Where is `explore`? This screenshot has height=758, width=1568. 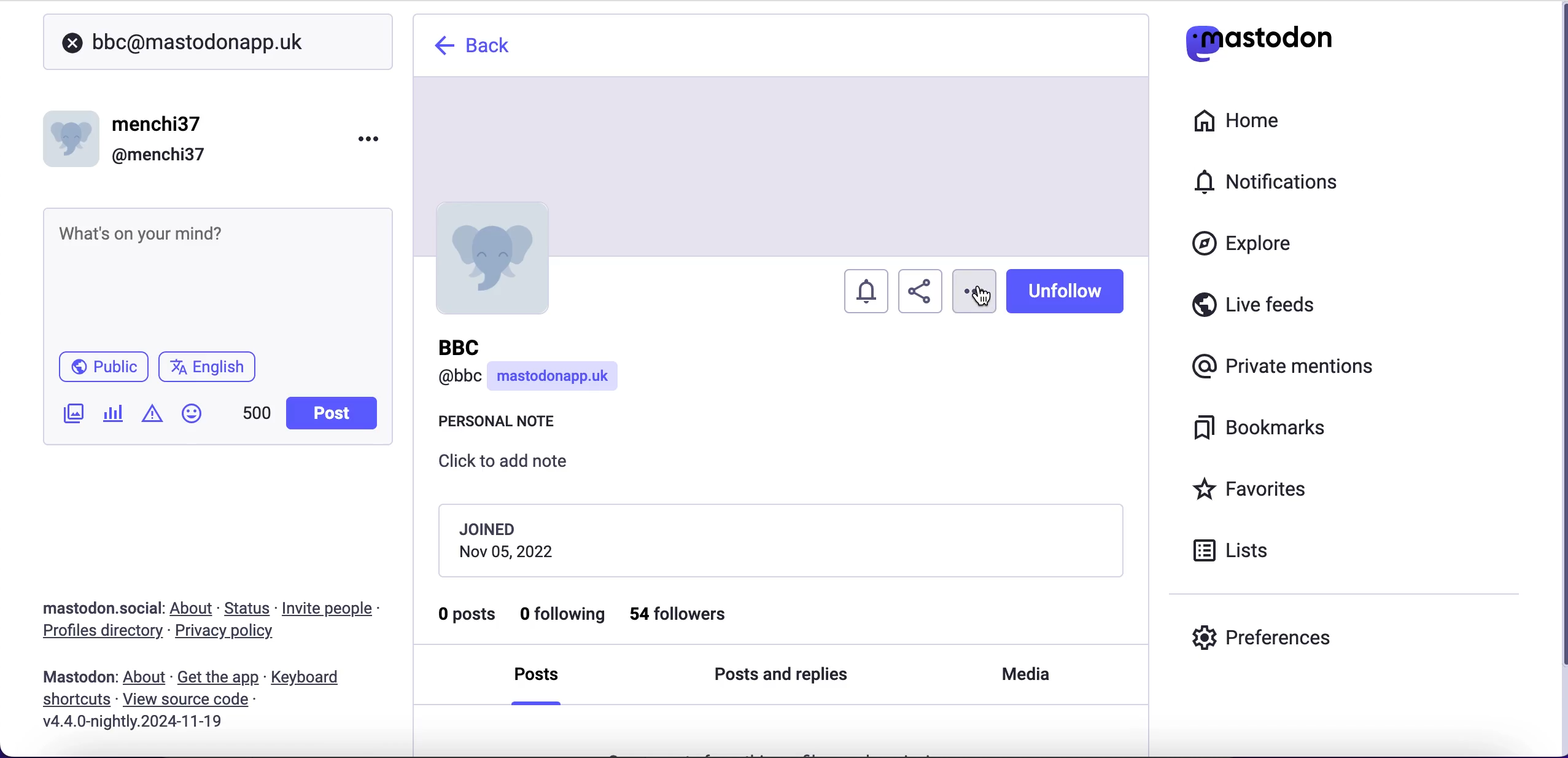
explore is located at coordinates (1254, 244).